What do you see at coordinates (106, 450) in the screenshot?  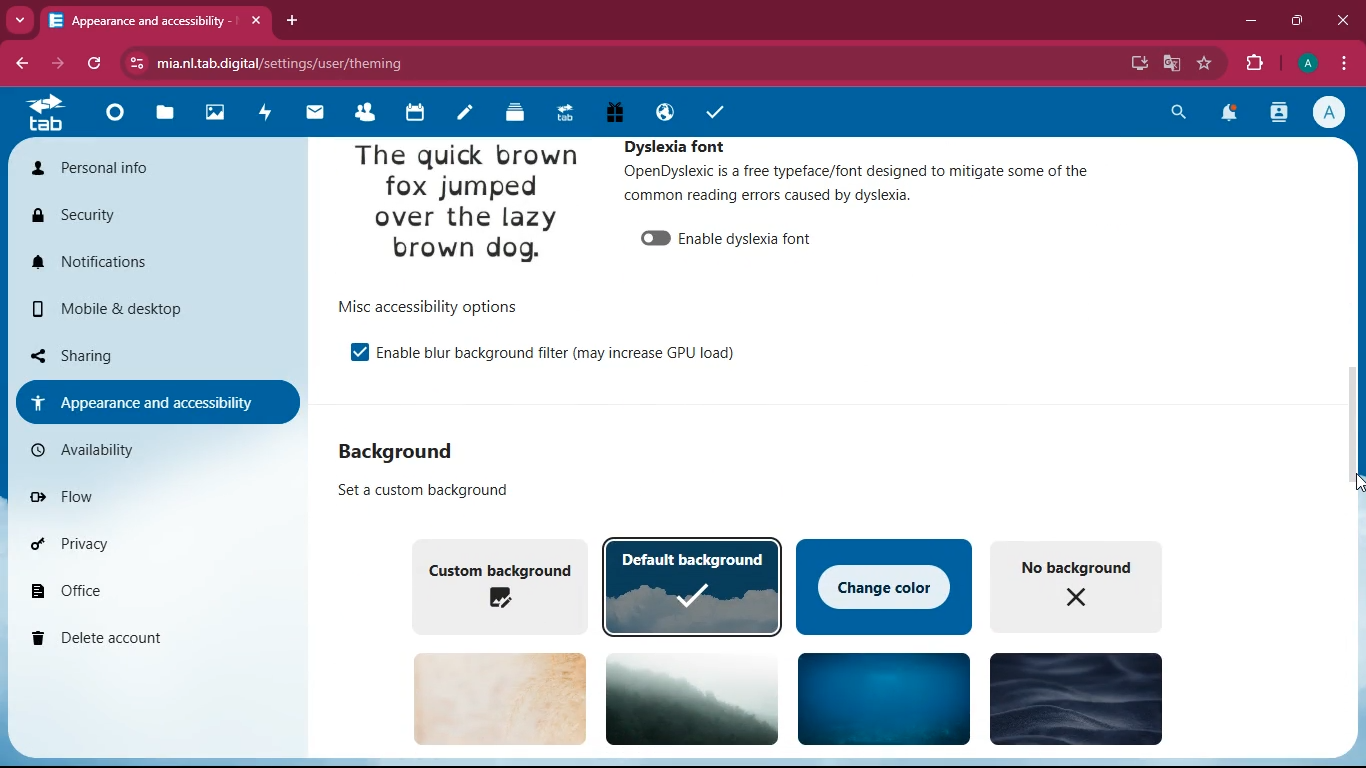 I see `availability` at bounding box center [106, 450].